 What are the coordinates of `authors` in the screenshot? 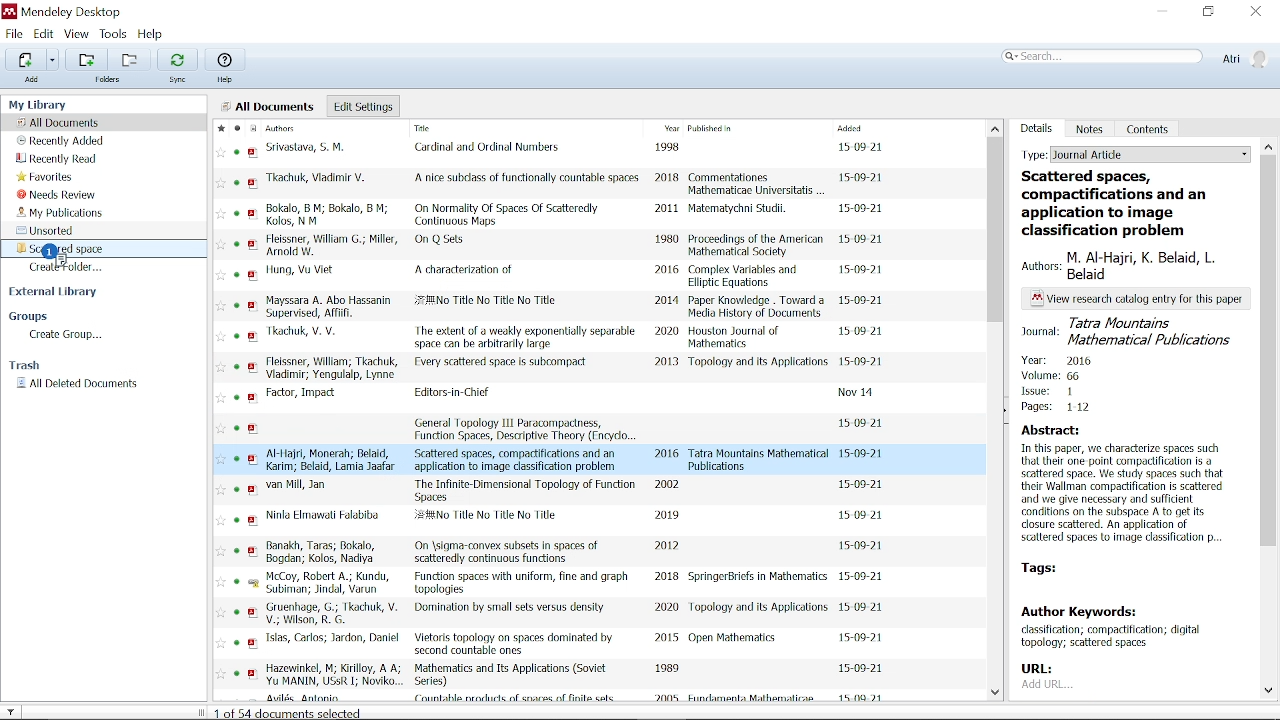 It's located at (324, 552).